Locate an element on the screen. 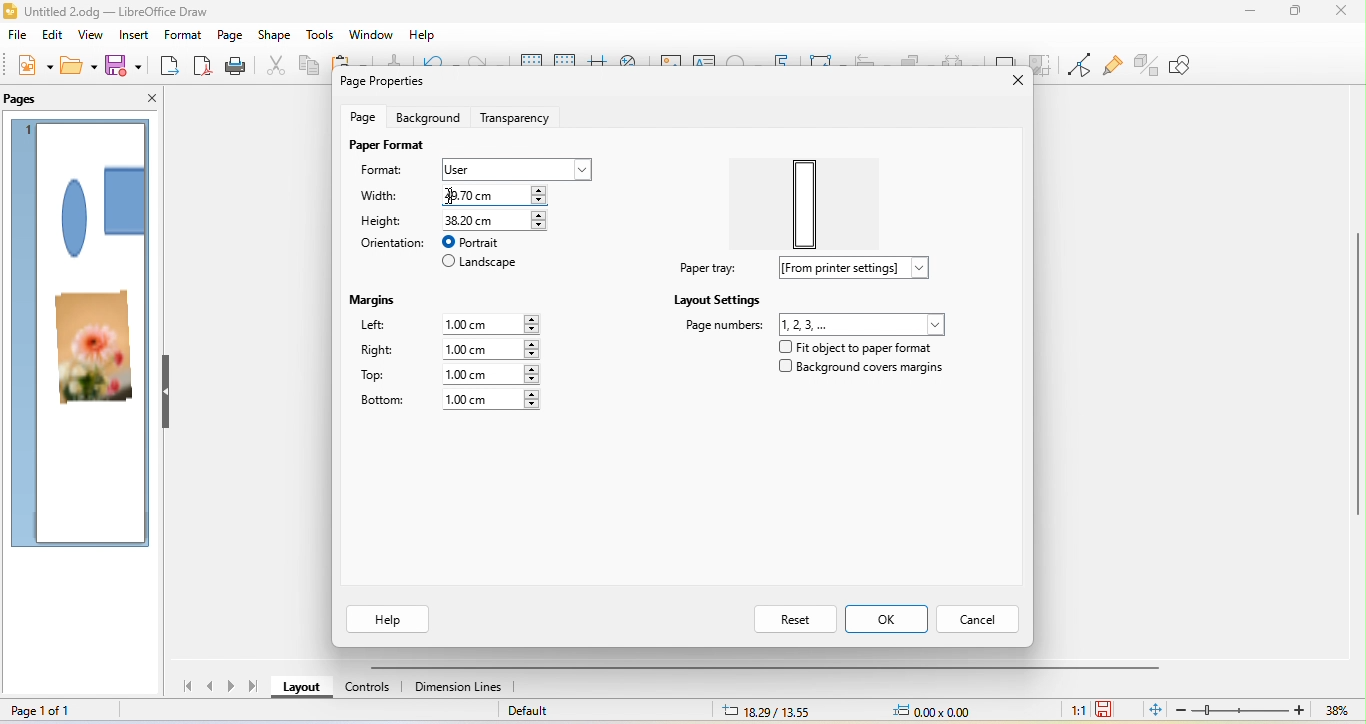  next page is located at coordinates (232, 687).